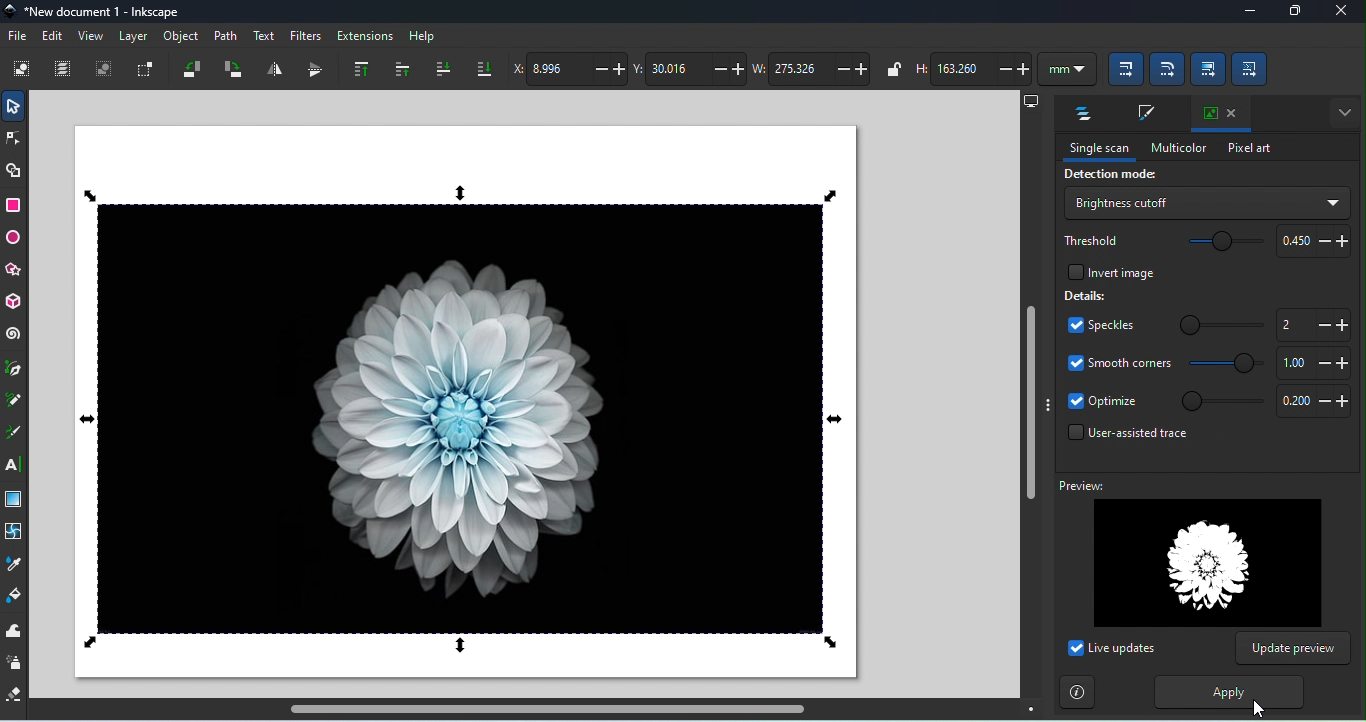 The image size is (1366, 722). I want to click on Deselect any selected objects, so click(104, 71).